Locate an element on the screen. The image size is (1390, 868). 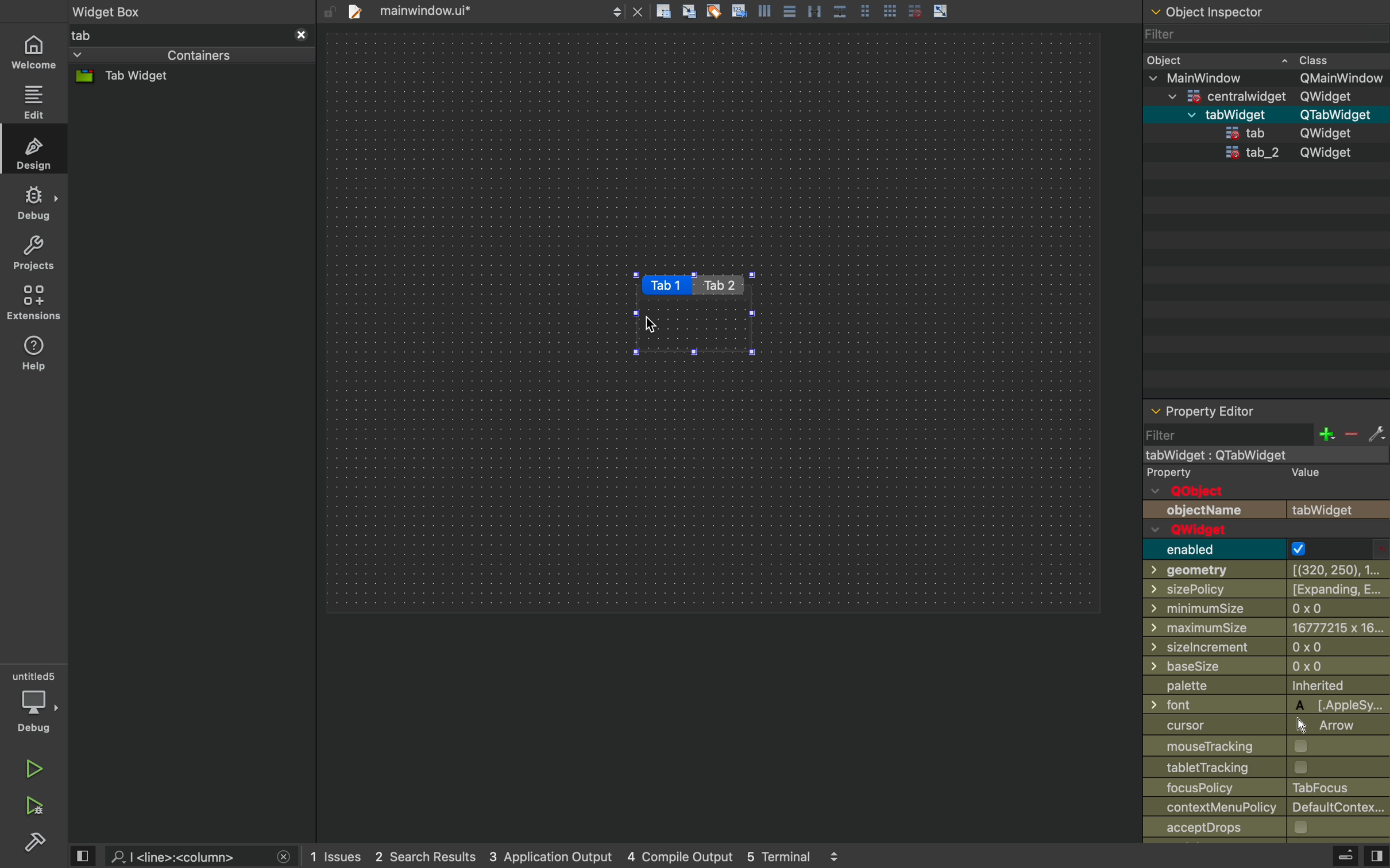
labeltracking is located at coordinates (1268, 769).